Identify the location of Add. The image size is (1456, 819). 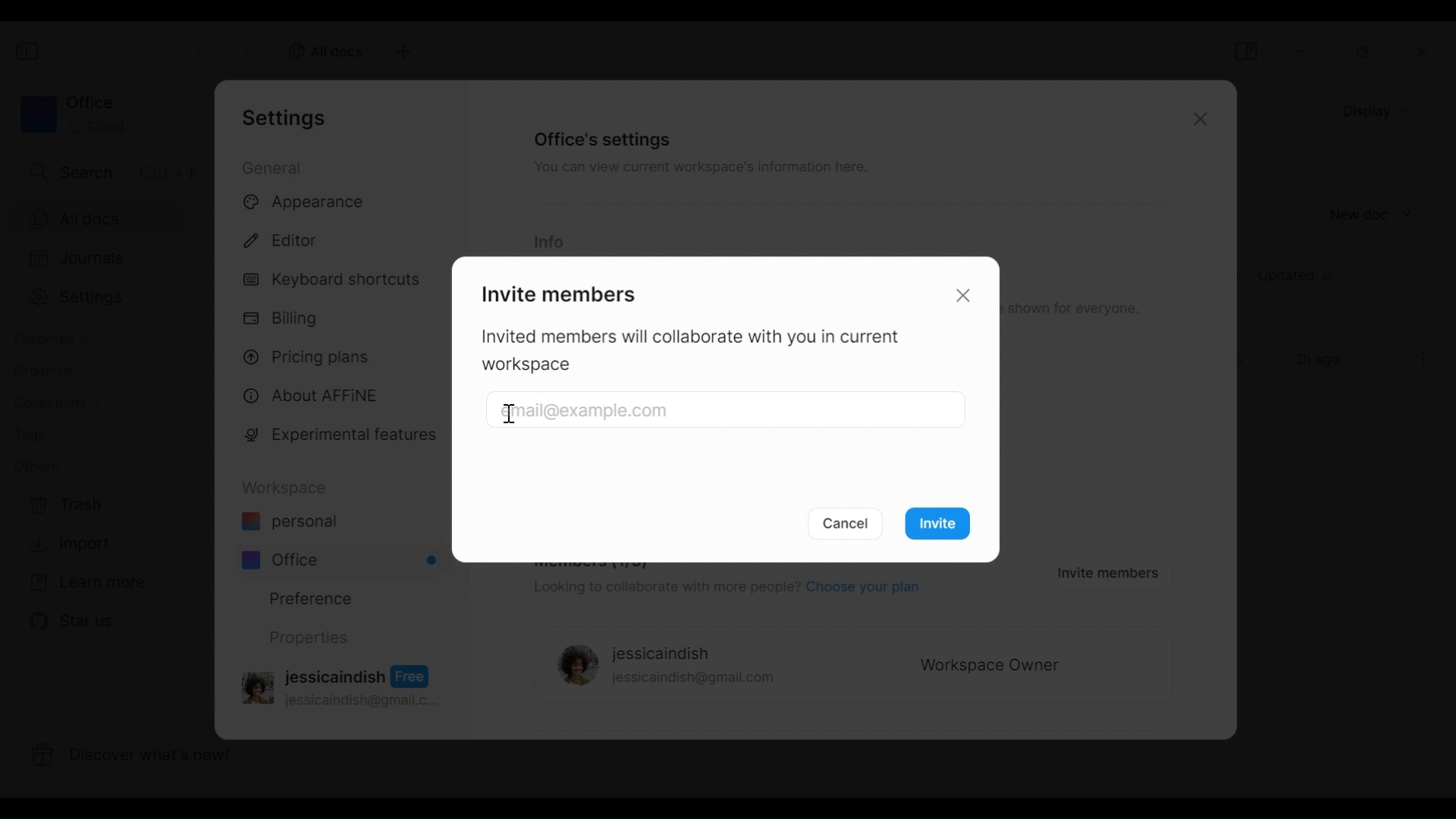
(401, 52).